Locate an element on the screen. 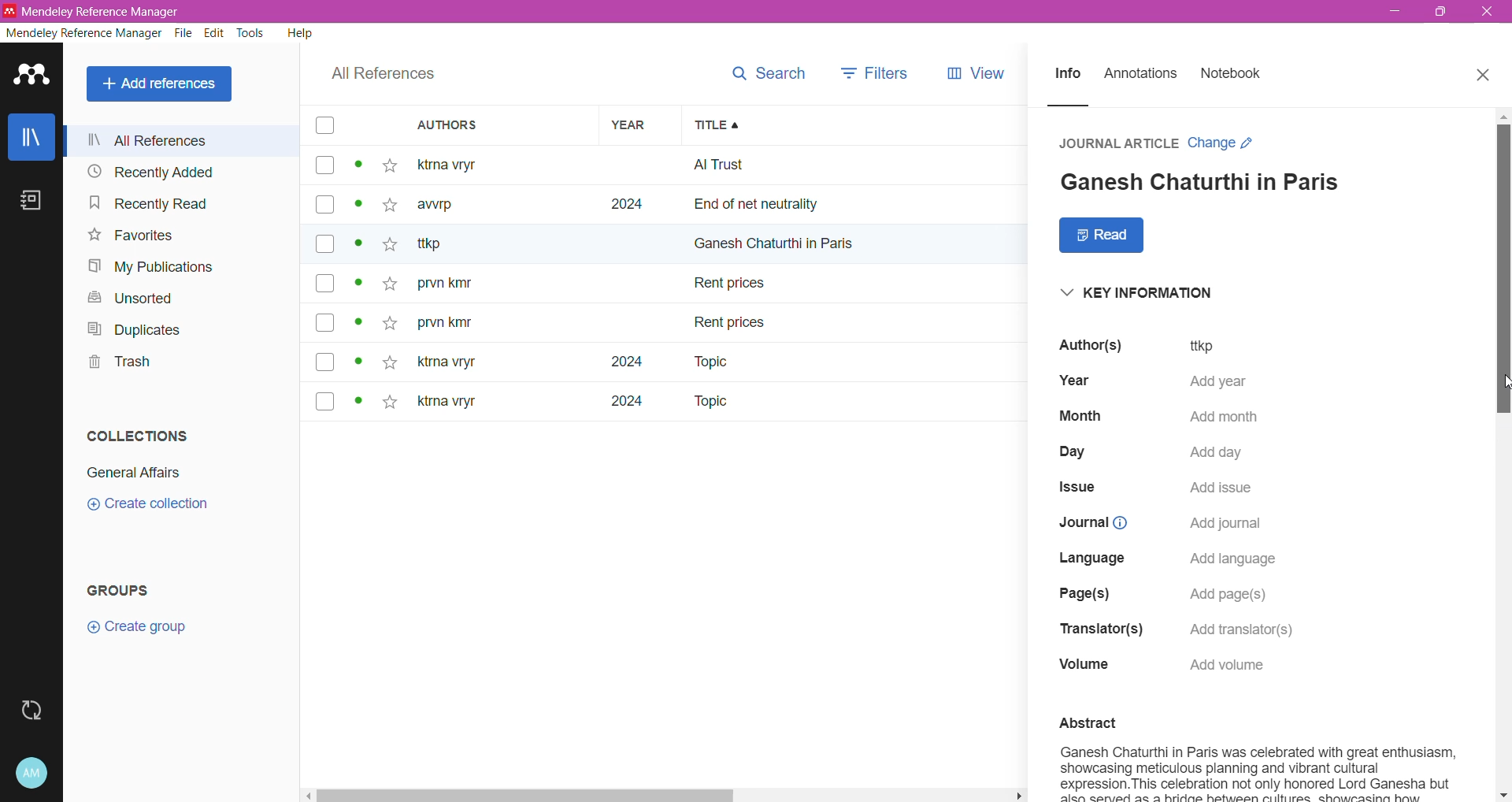  Create Group is located at coordinates (145, 628).